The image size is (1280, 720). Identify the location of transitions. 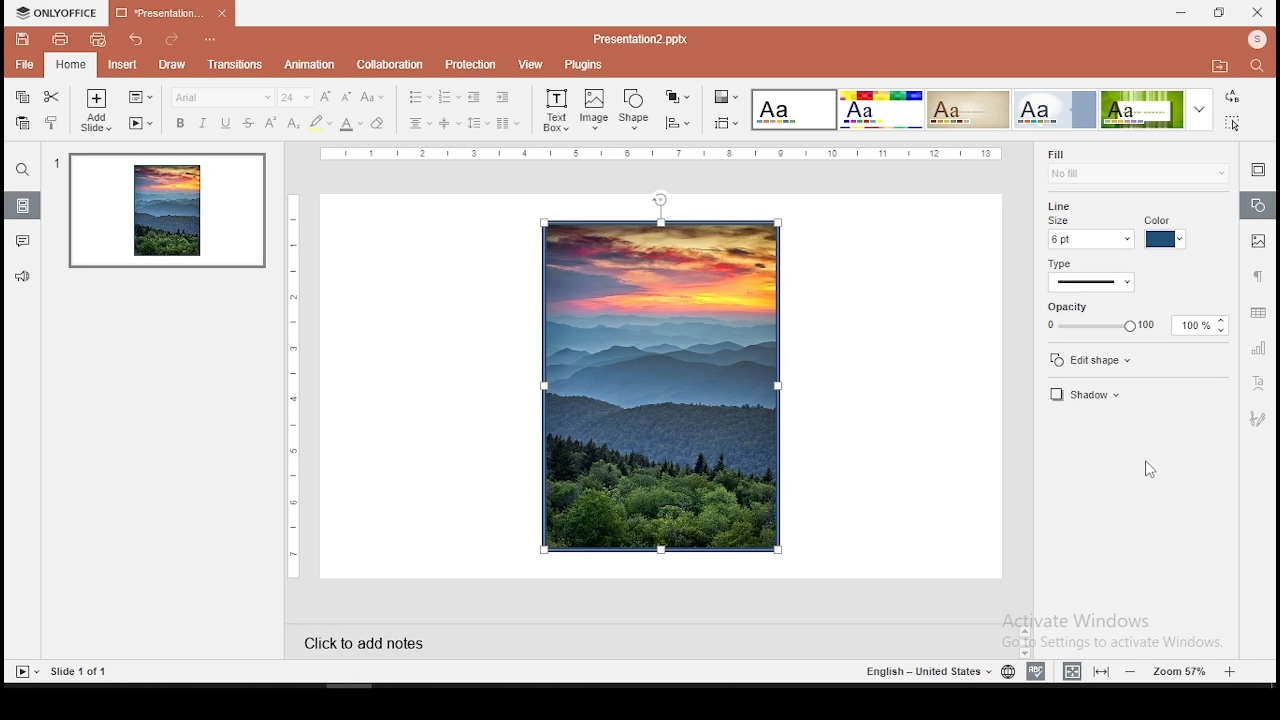
(235, 66).